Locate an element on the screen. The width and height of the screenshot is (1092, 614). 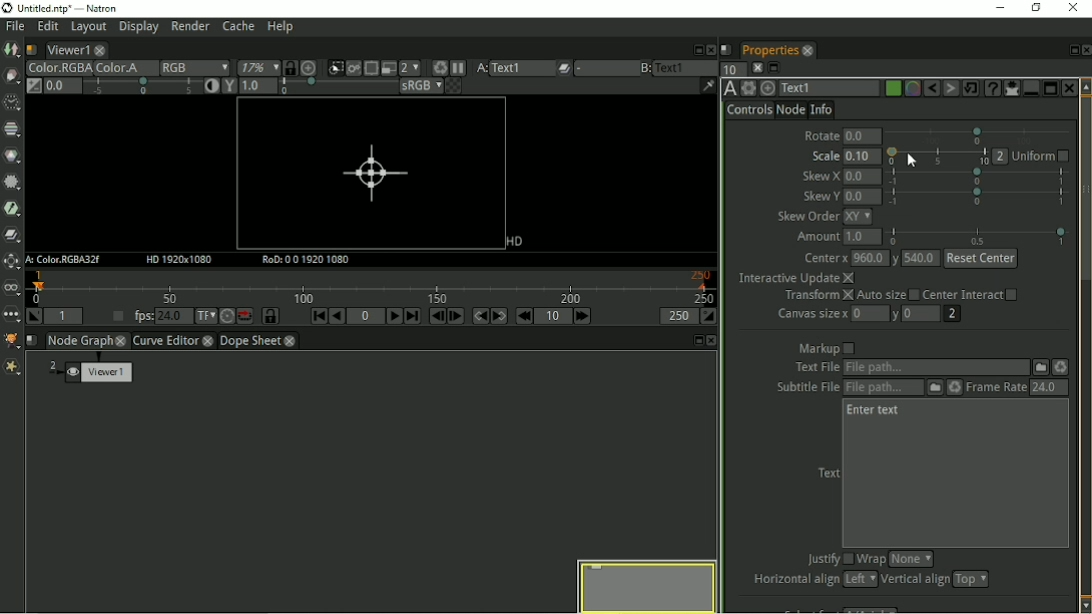
Checker board is located at coordinates (455, 86).